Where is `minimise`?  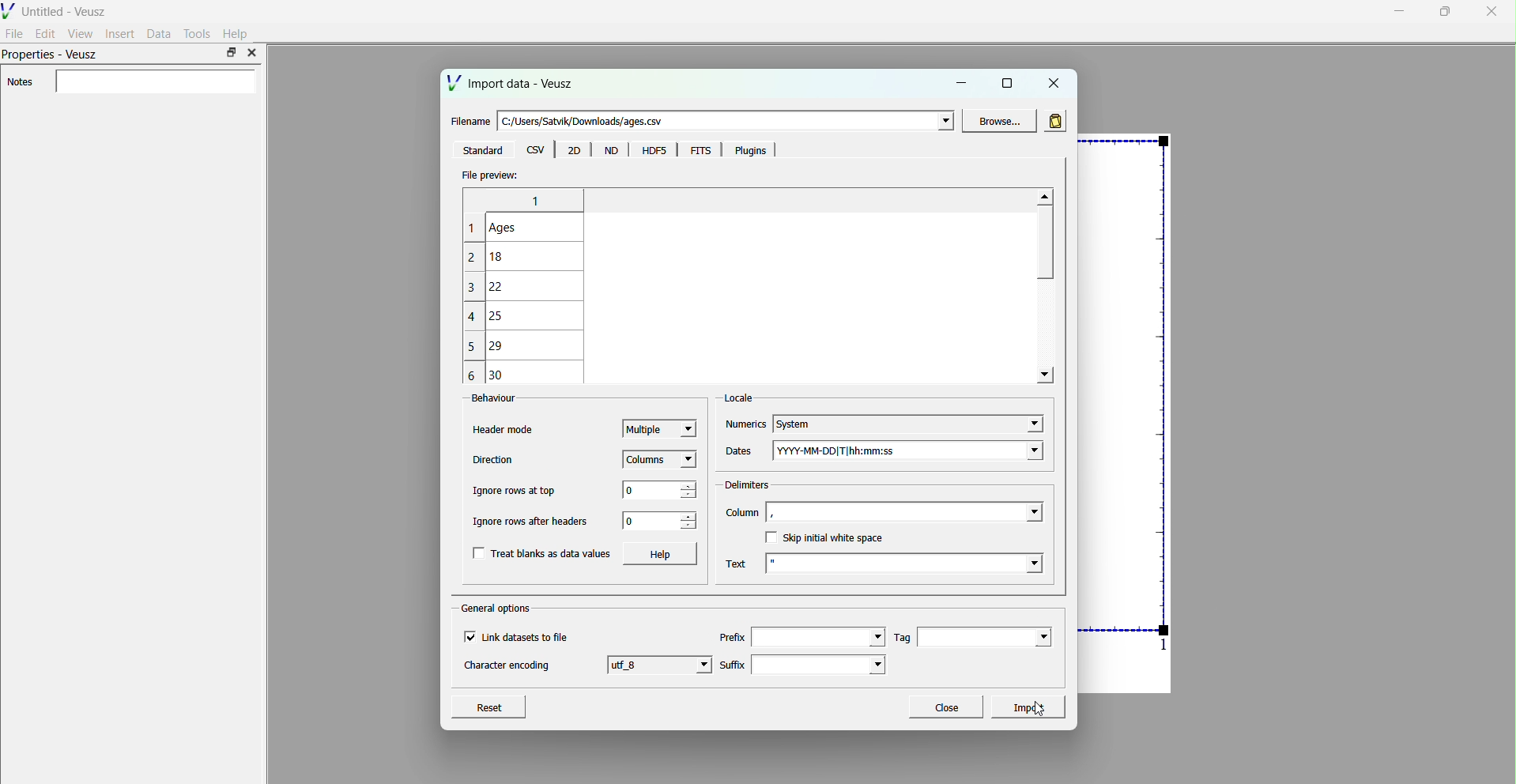 minimise is located at coordinates (964, 81).